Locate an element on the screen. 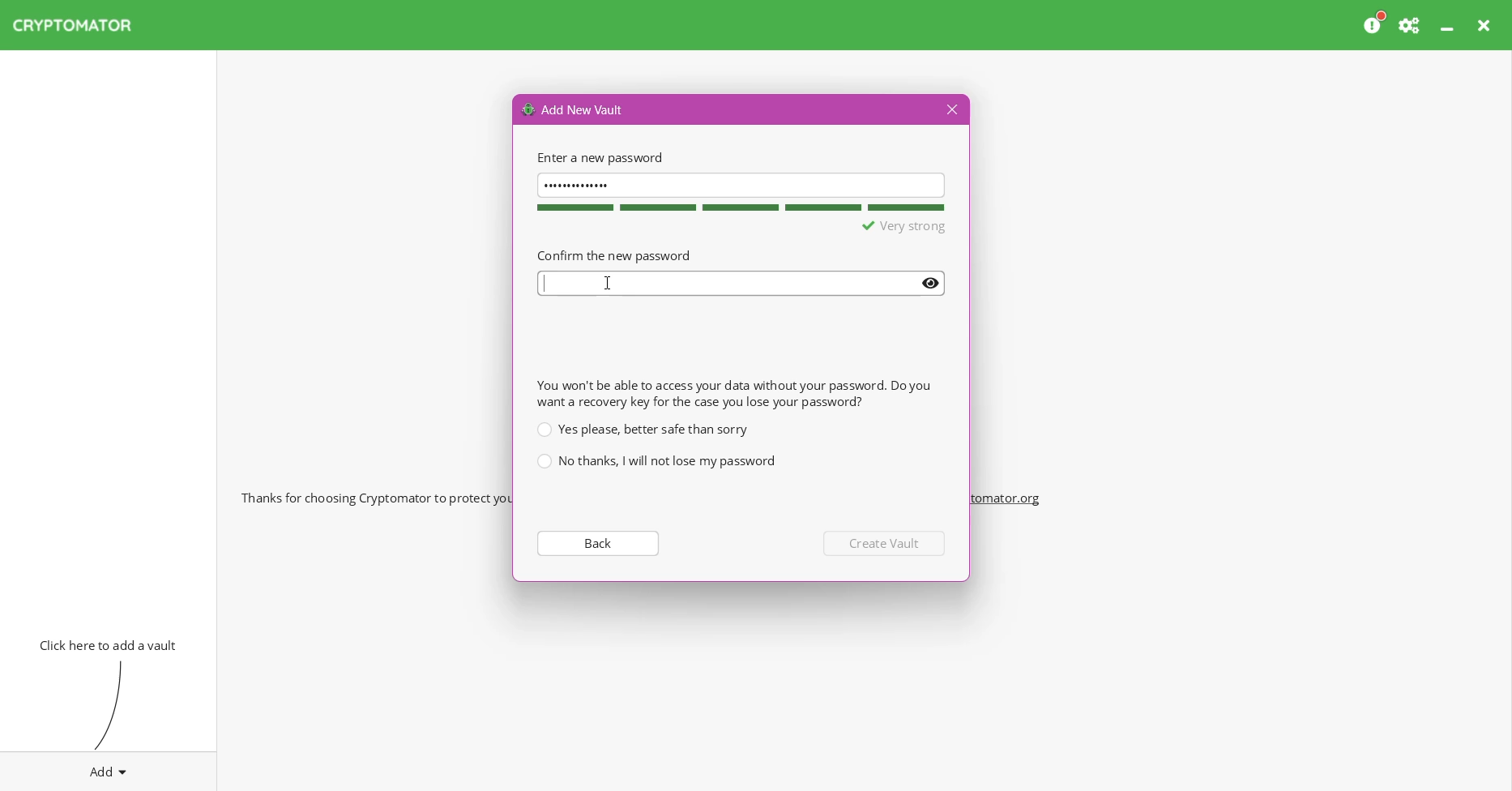 The width and height of the screenshot is (1512, 791). Click here to add vault is located at coordinates (105, 643).